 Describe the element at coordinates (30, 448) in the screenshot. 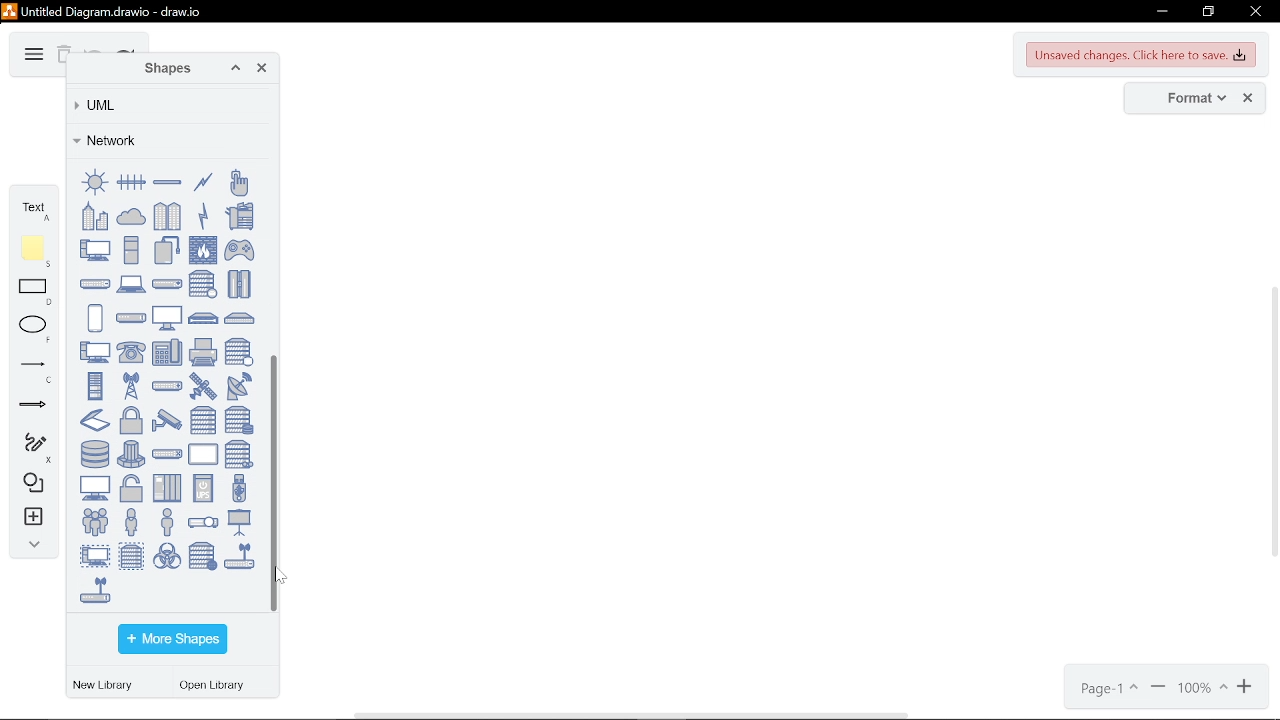

I see `freehand` at that location.